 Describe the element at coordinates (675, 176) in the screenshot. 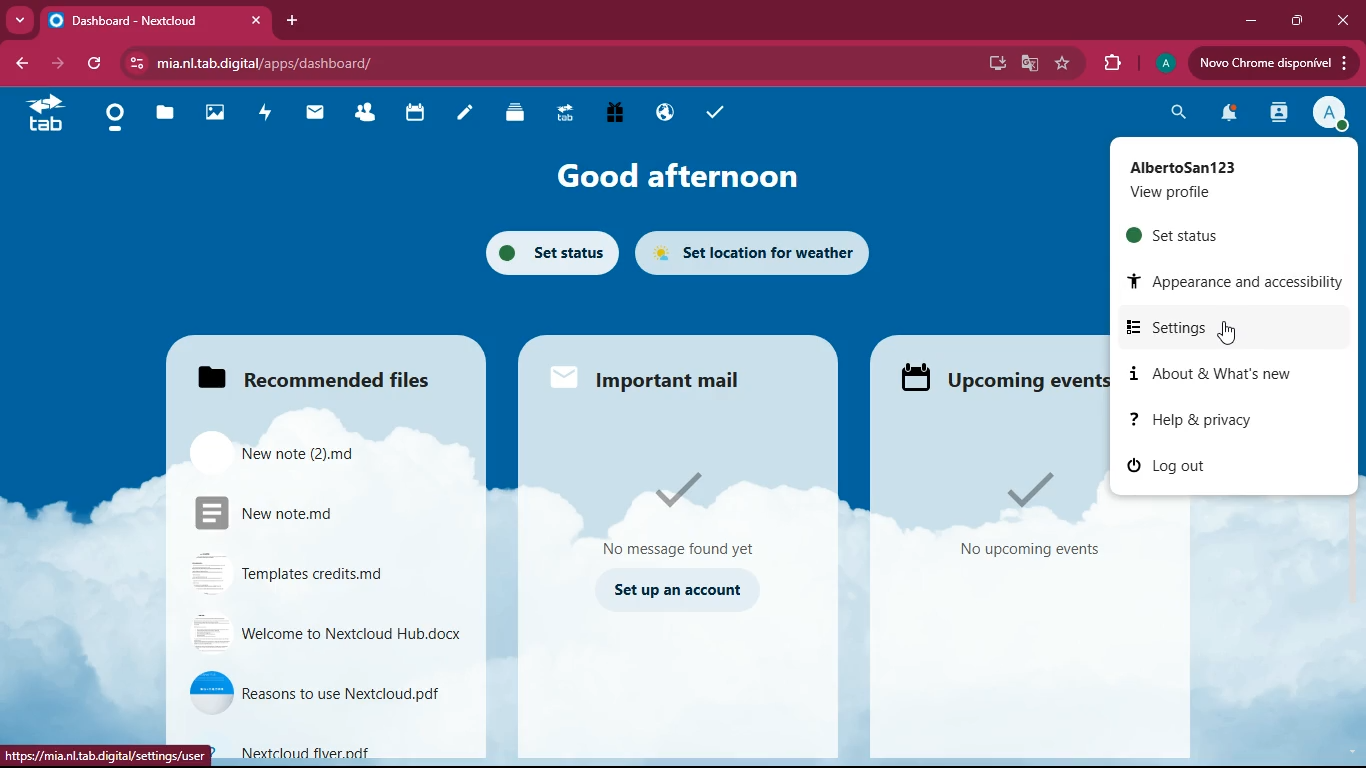

I see `good afternoon` at that location.